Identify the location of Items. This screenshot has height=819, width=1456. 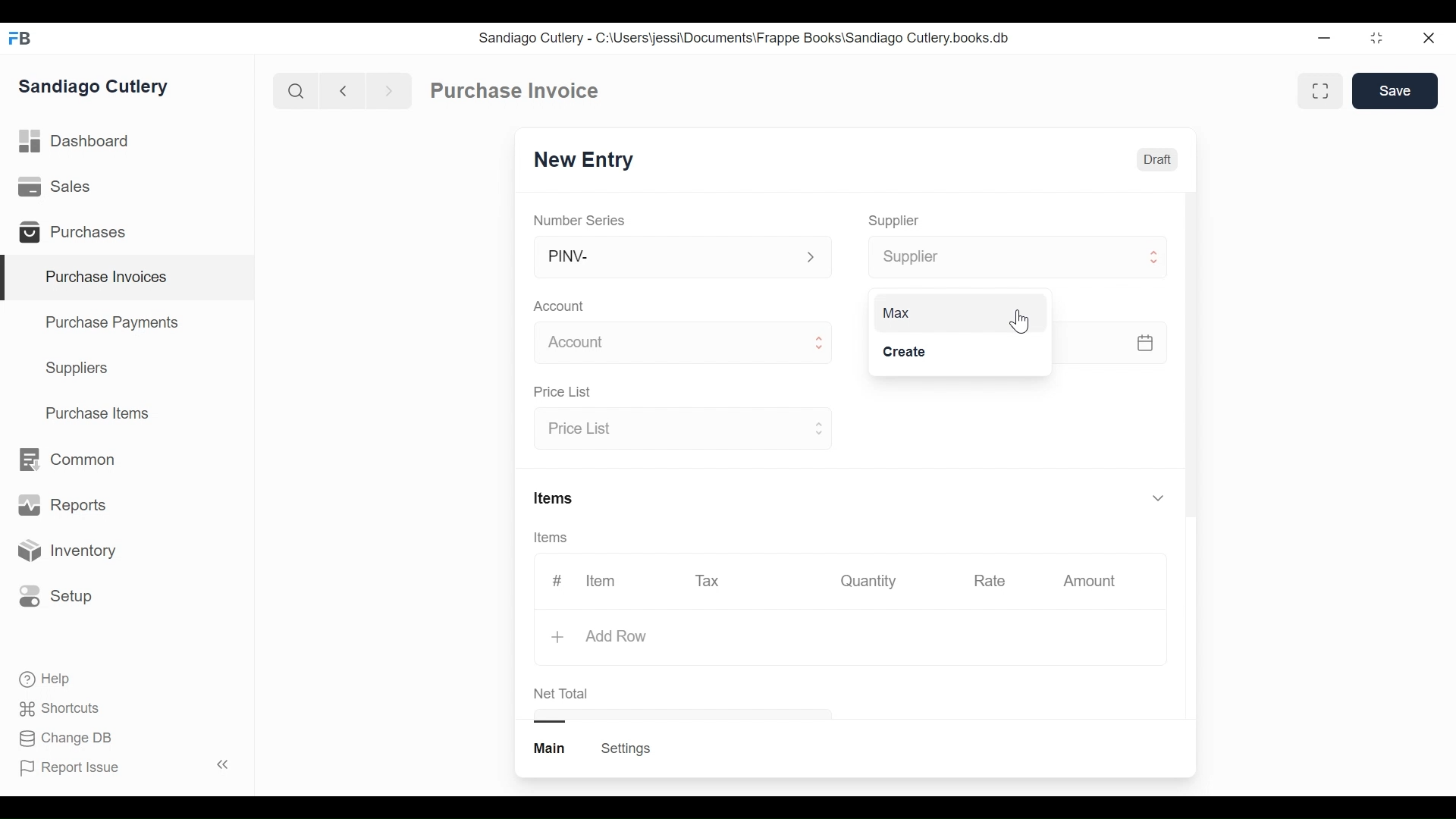
(555, 500).